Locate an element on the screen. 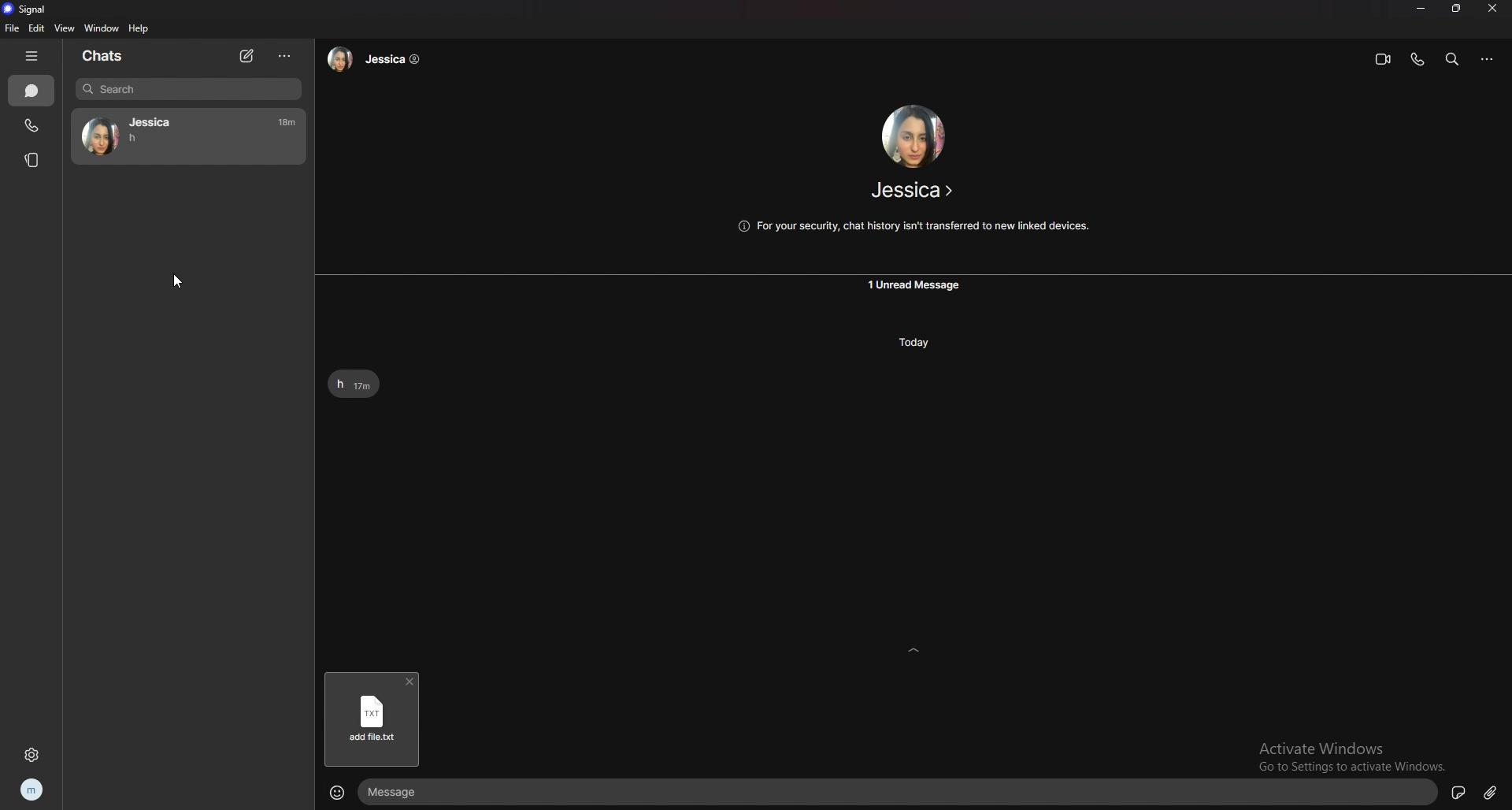 This screenshot has width=1512, height=810. window is located at coordinates (103, 28).